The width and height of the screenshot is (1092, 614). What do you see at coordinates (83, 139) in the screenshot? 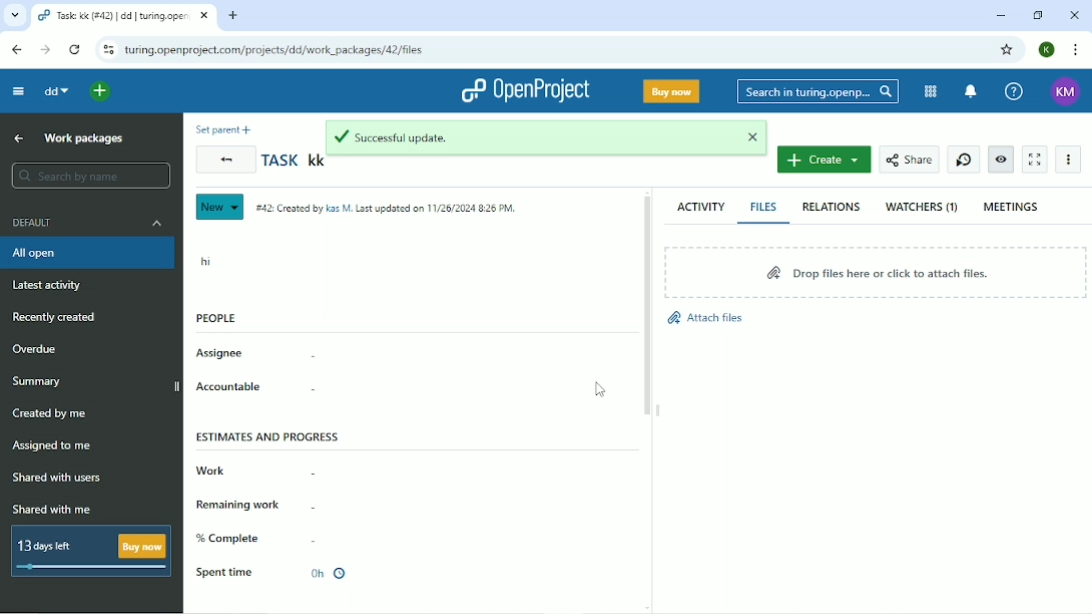
I see `Work packages` at bounding box center [83, 139].